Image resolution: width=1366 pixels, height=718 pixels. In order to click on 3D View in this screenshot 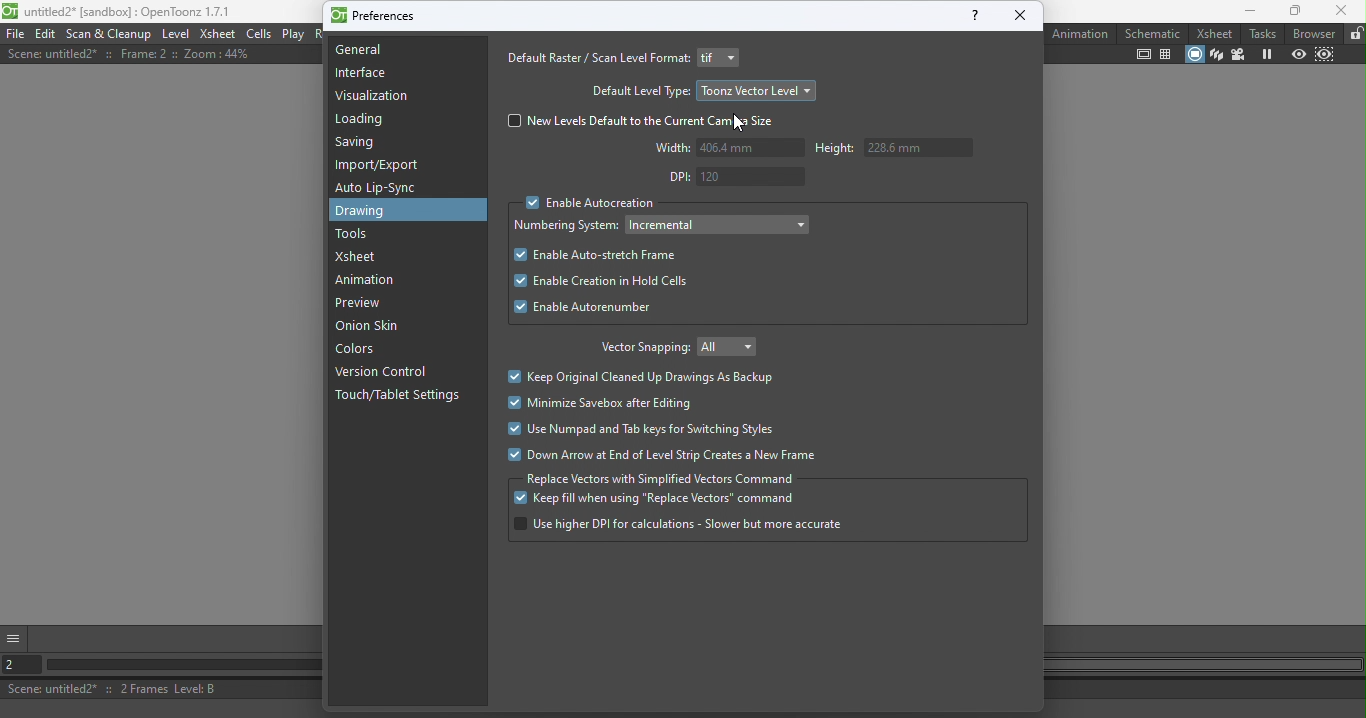, I will do `click(1215, 55)`.